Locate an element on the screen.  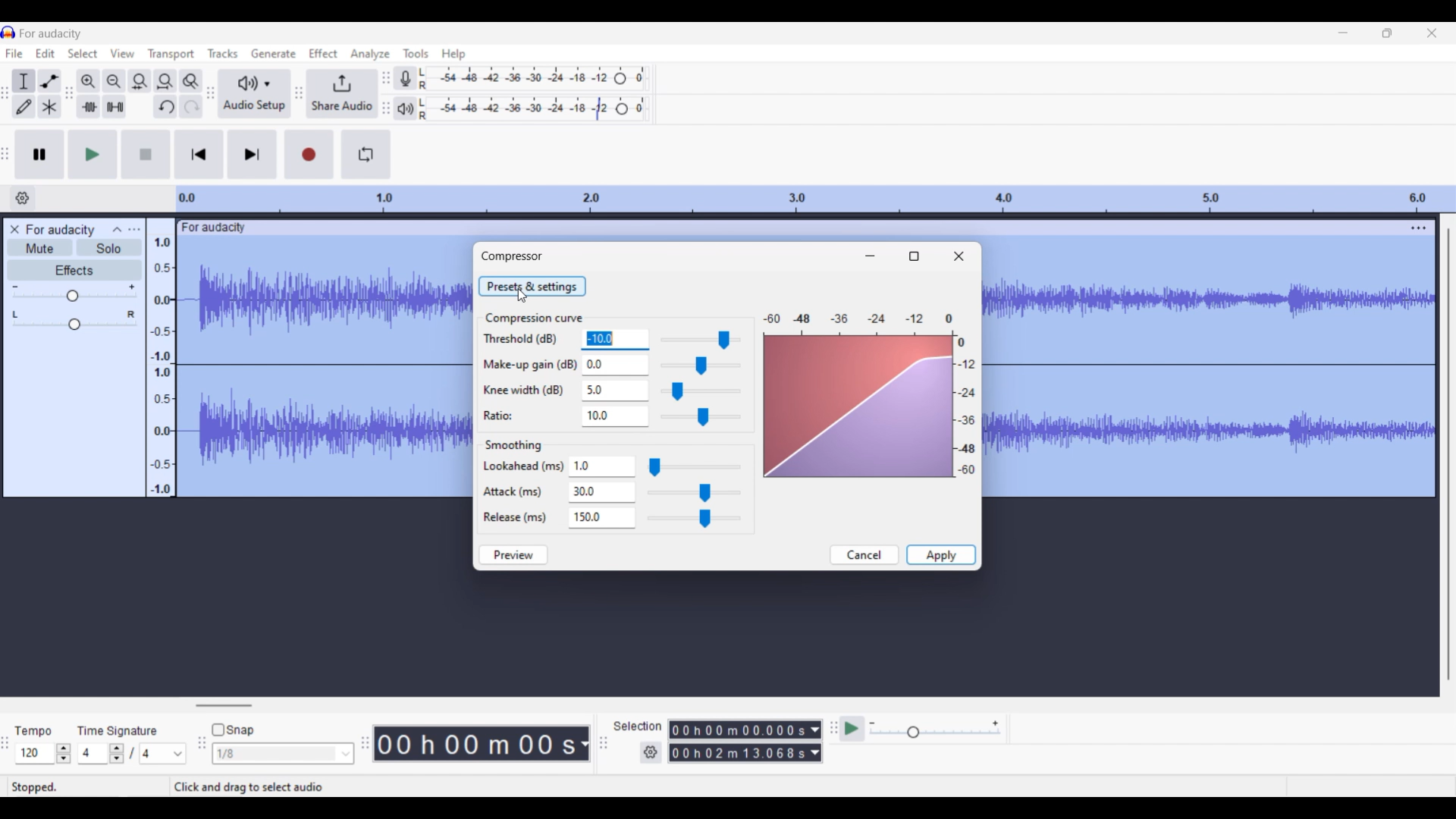
Settings is located at coordinates (651, 752).